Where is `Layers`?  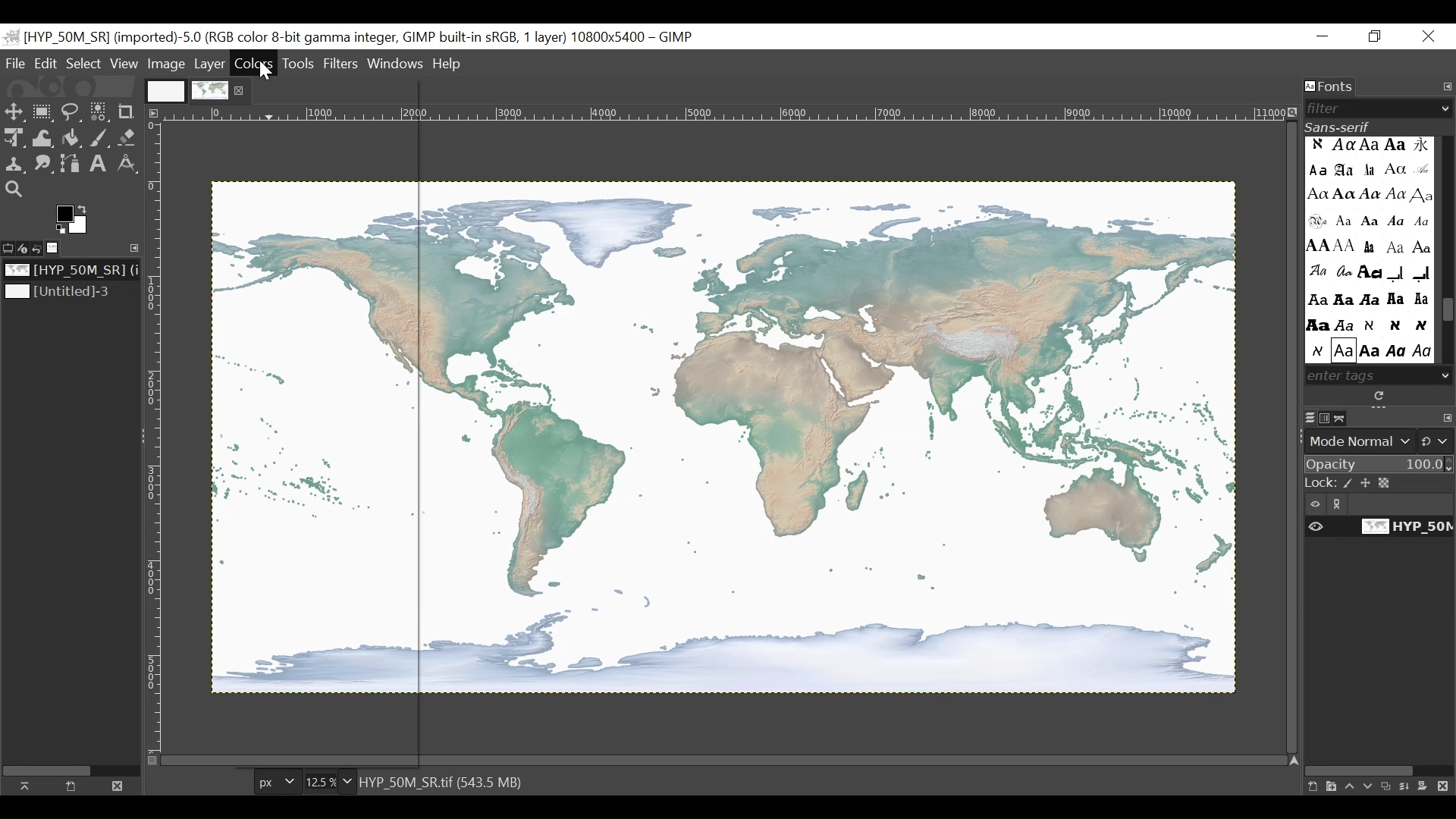
Layers is located at coordinates (1310, 419).